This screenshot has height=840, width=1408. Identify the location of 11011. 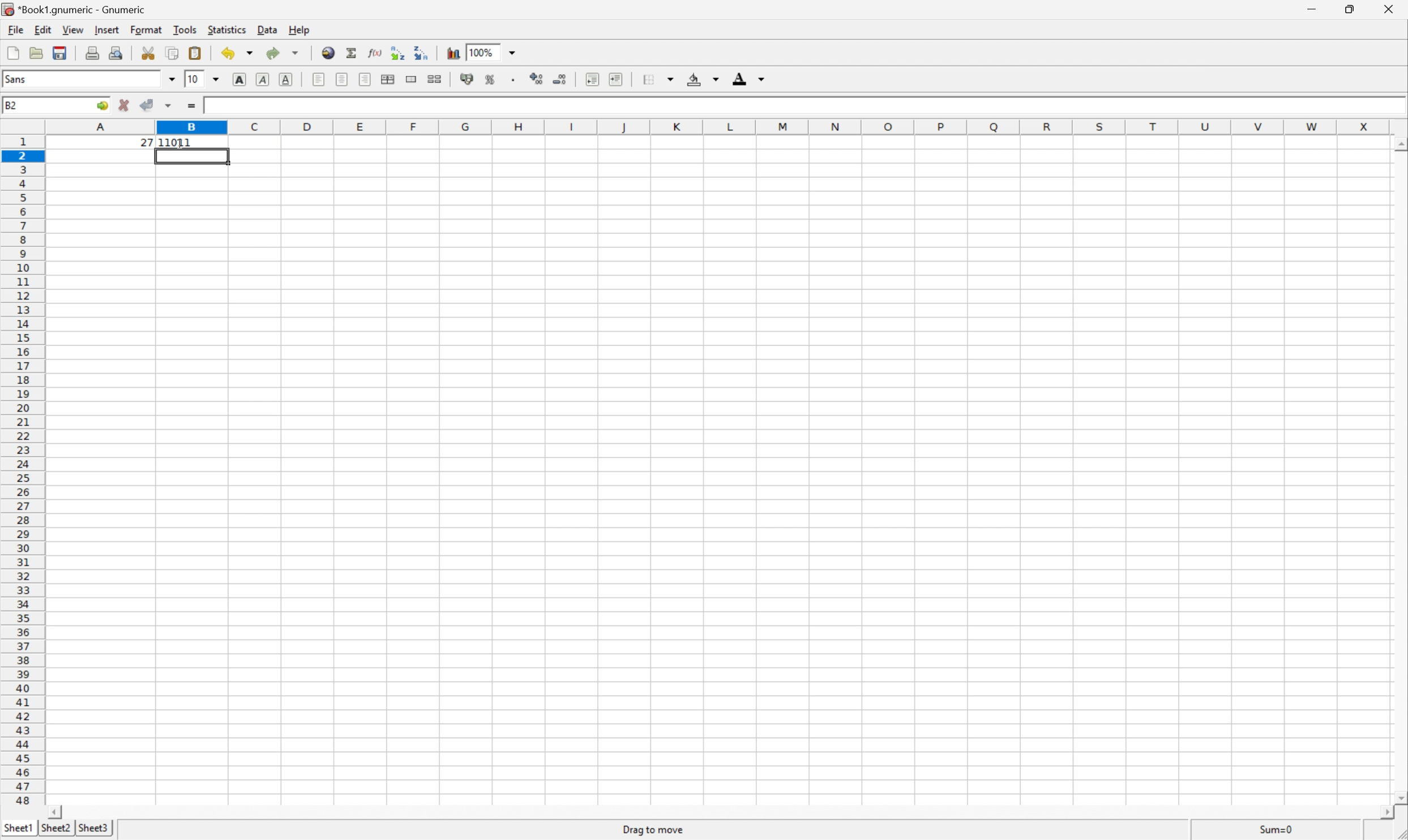
(182, 142).